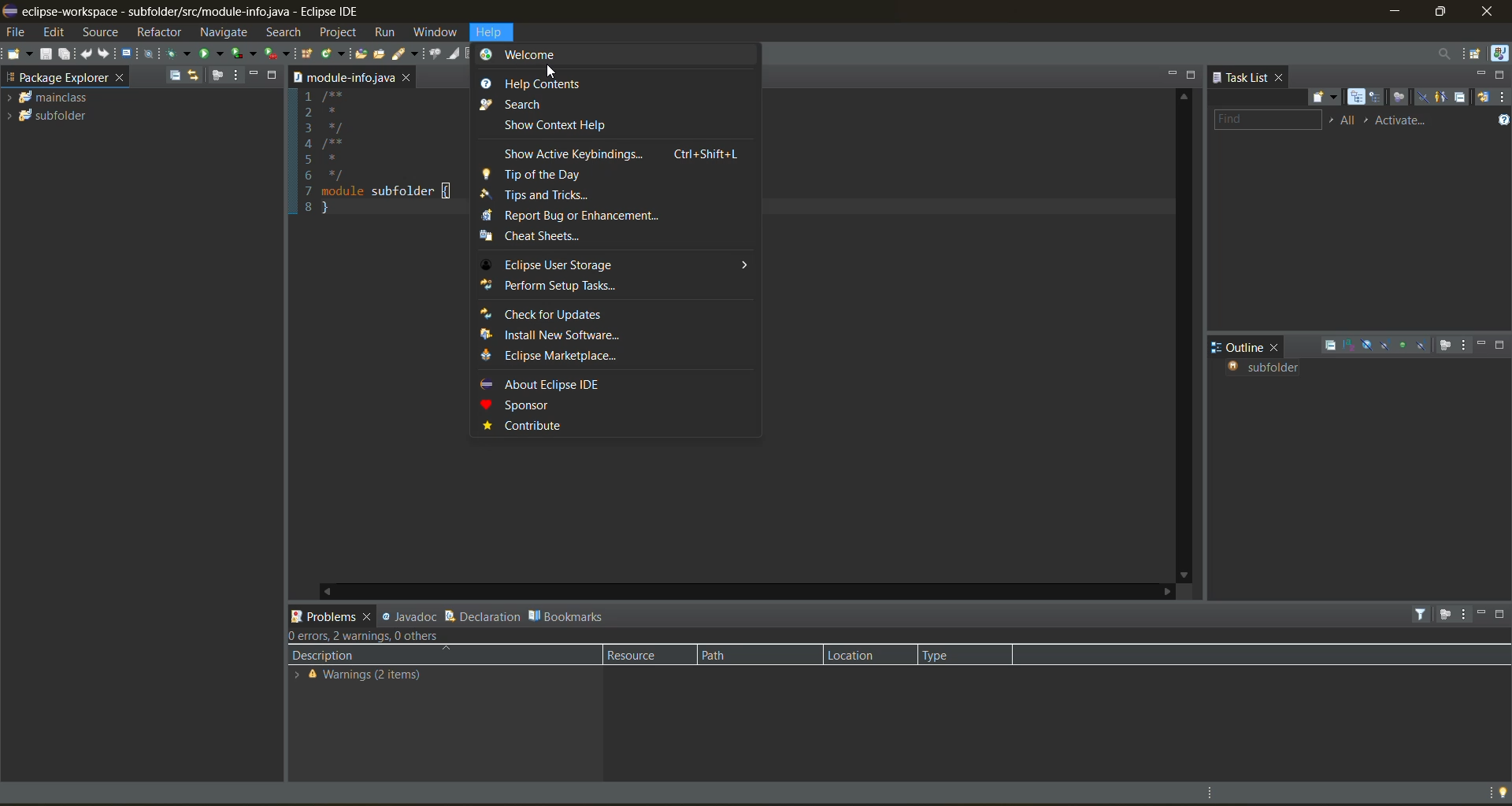  What do you see at coordinates (1425, 345) in the screenshot?
I see `hide local types` at bounding box center [1425, 345].